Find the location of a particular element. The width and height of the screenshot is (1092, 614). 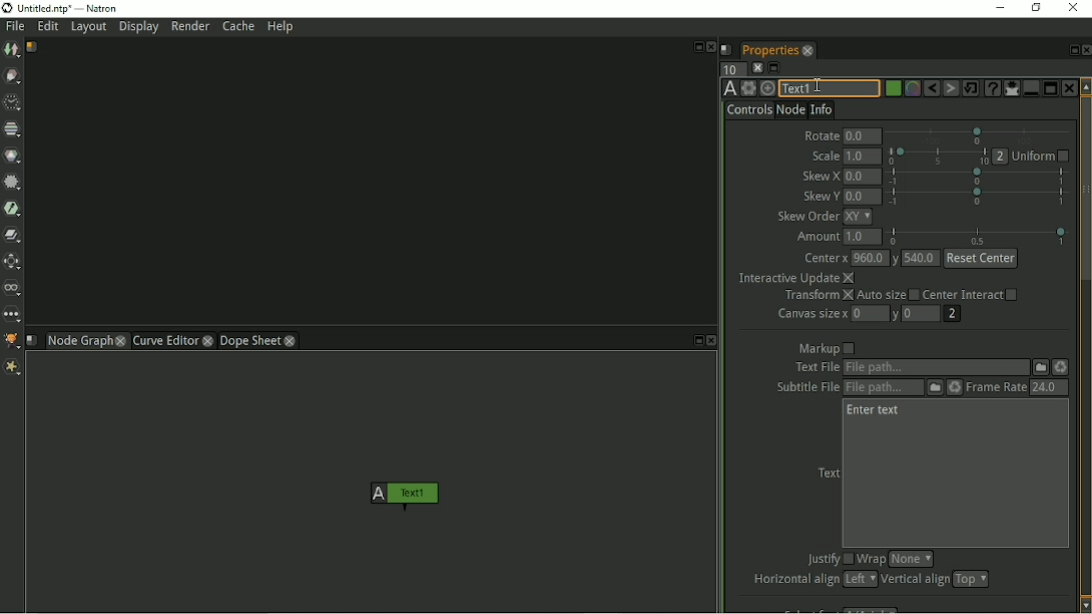

Show/hide all parameters is located at coordinates (1011, 88).